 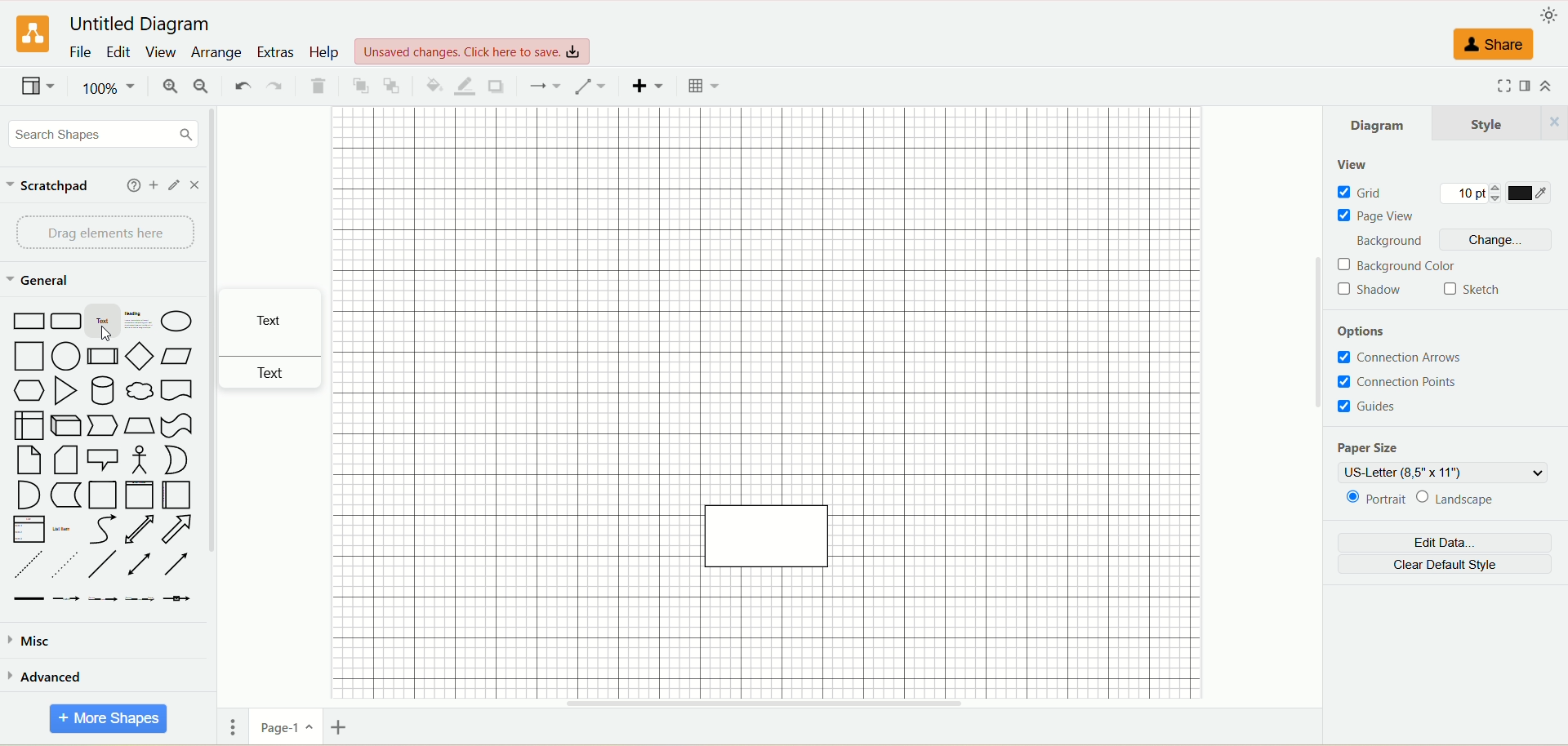 I want to click on file, so click(x=80, y=51).